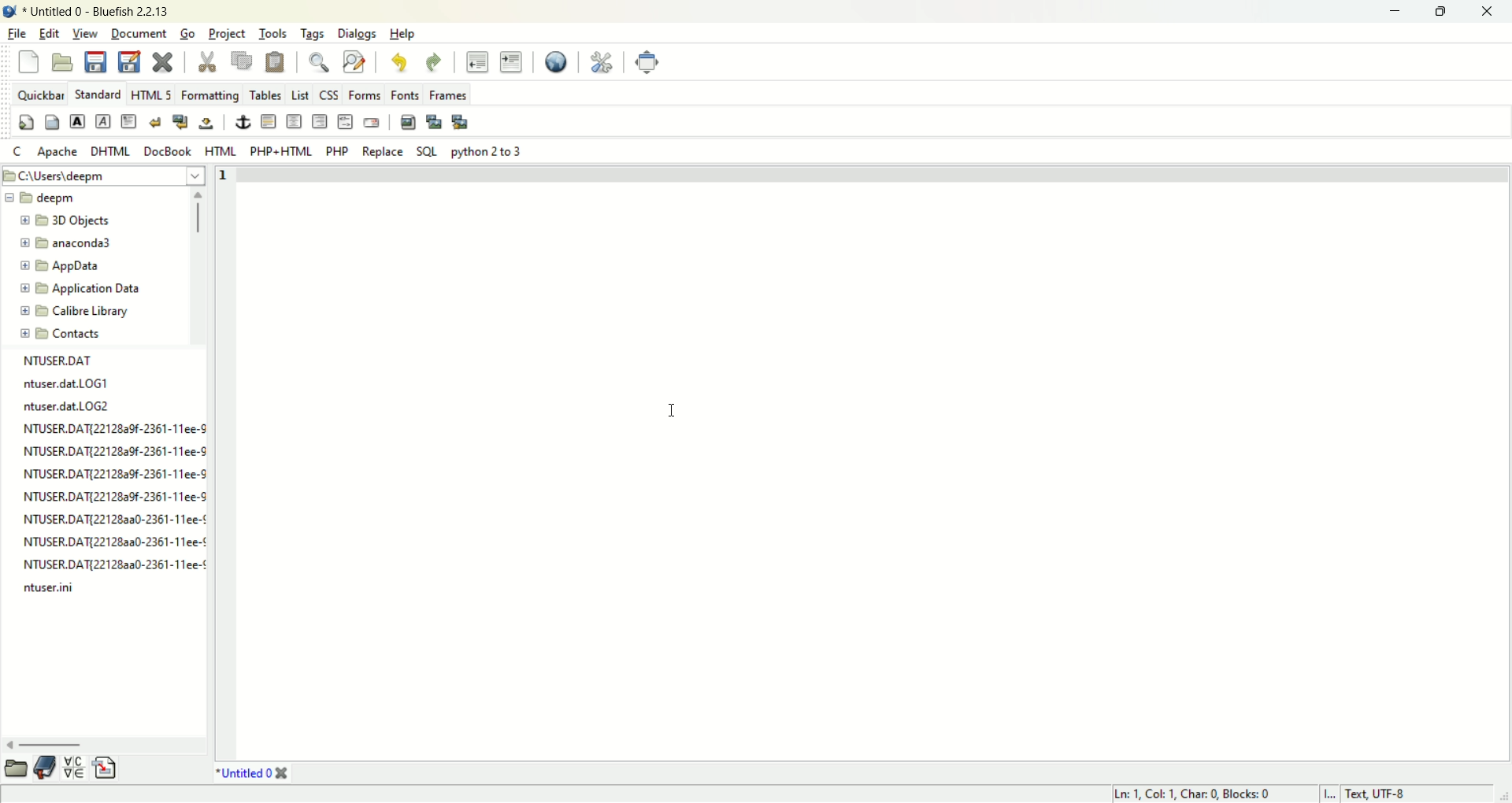 This screenshot has height=803, width=1512. Describe the element at coordinates (328, 94) in the screenshot. I see `css` at that location.